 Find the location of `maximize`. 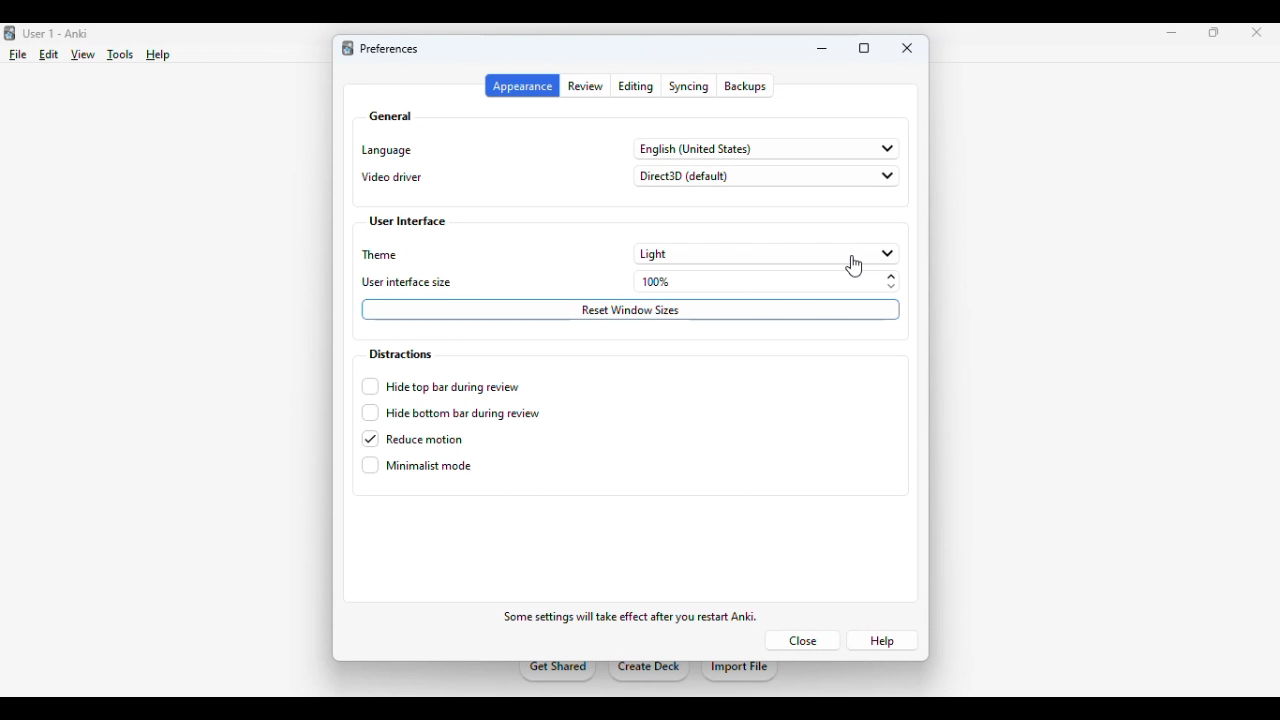

maximize is located at coordinates (1214, 32).